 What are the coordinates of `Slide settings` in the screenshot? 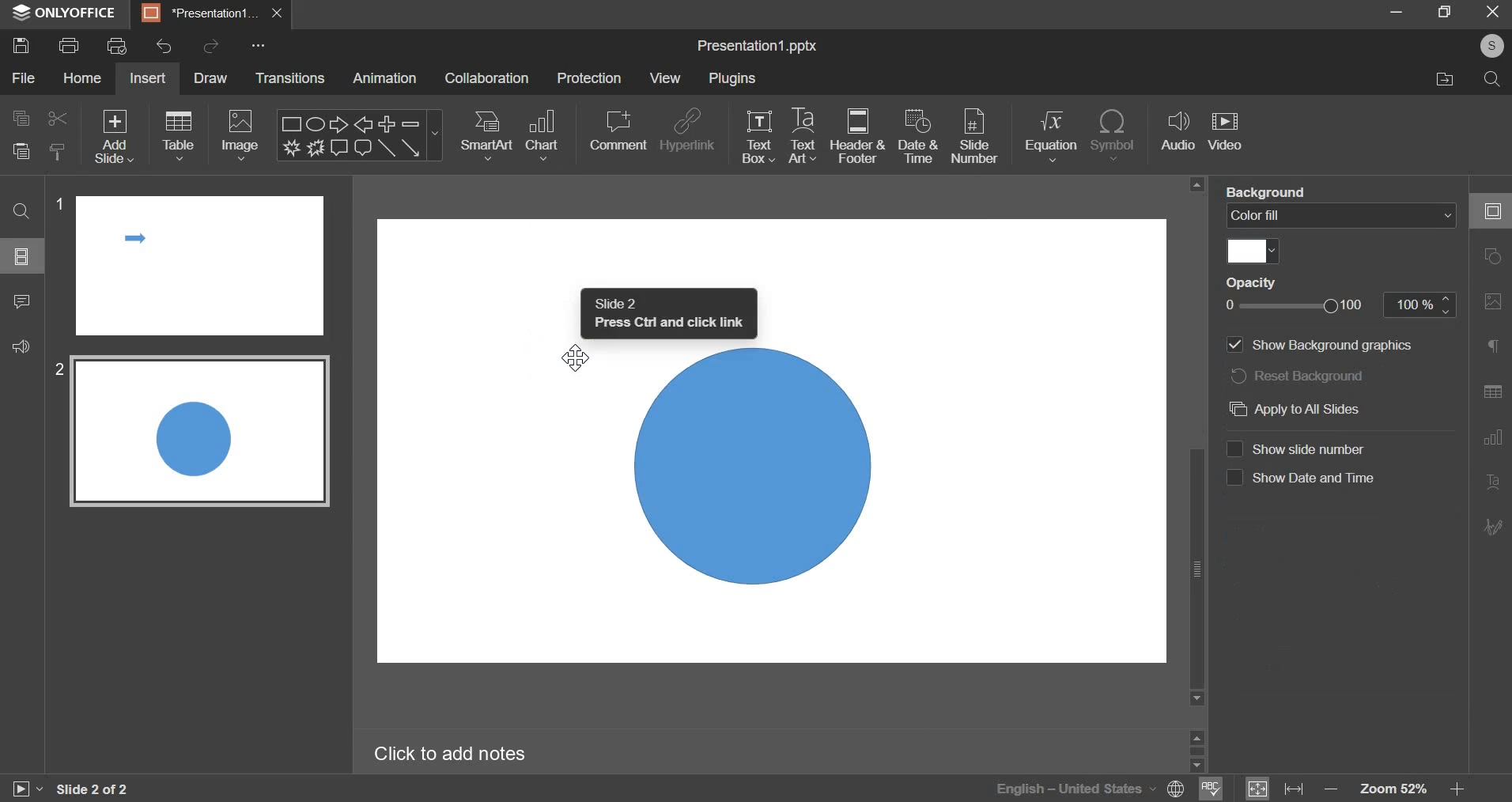 It's located at (1495, 213).